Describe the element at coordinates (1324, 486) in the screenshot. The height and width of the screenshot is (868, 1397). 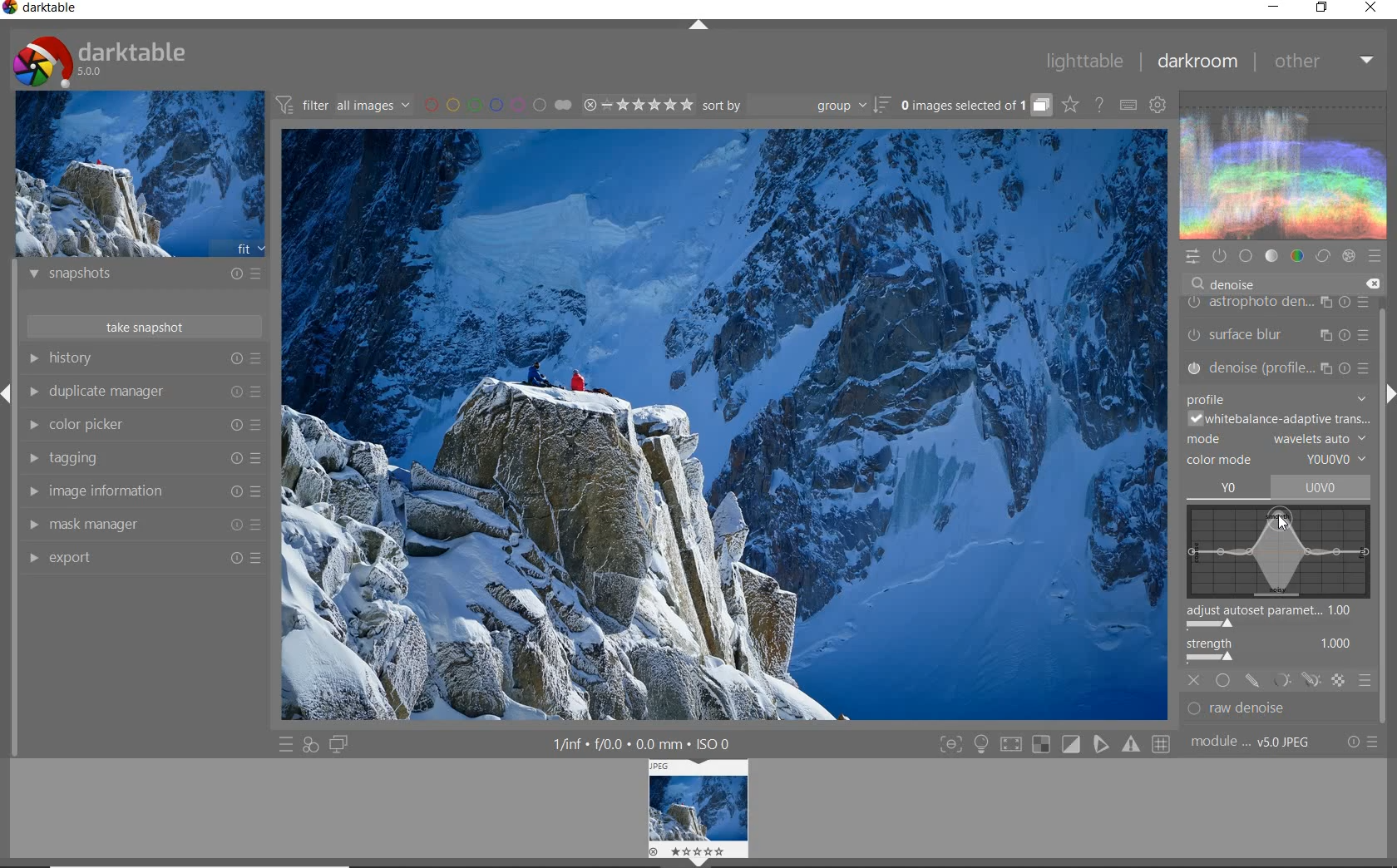
I see `uovo` at that location.